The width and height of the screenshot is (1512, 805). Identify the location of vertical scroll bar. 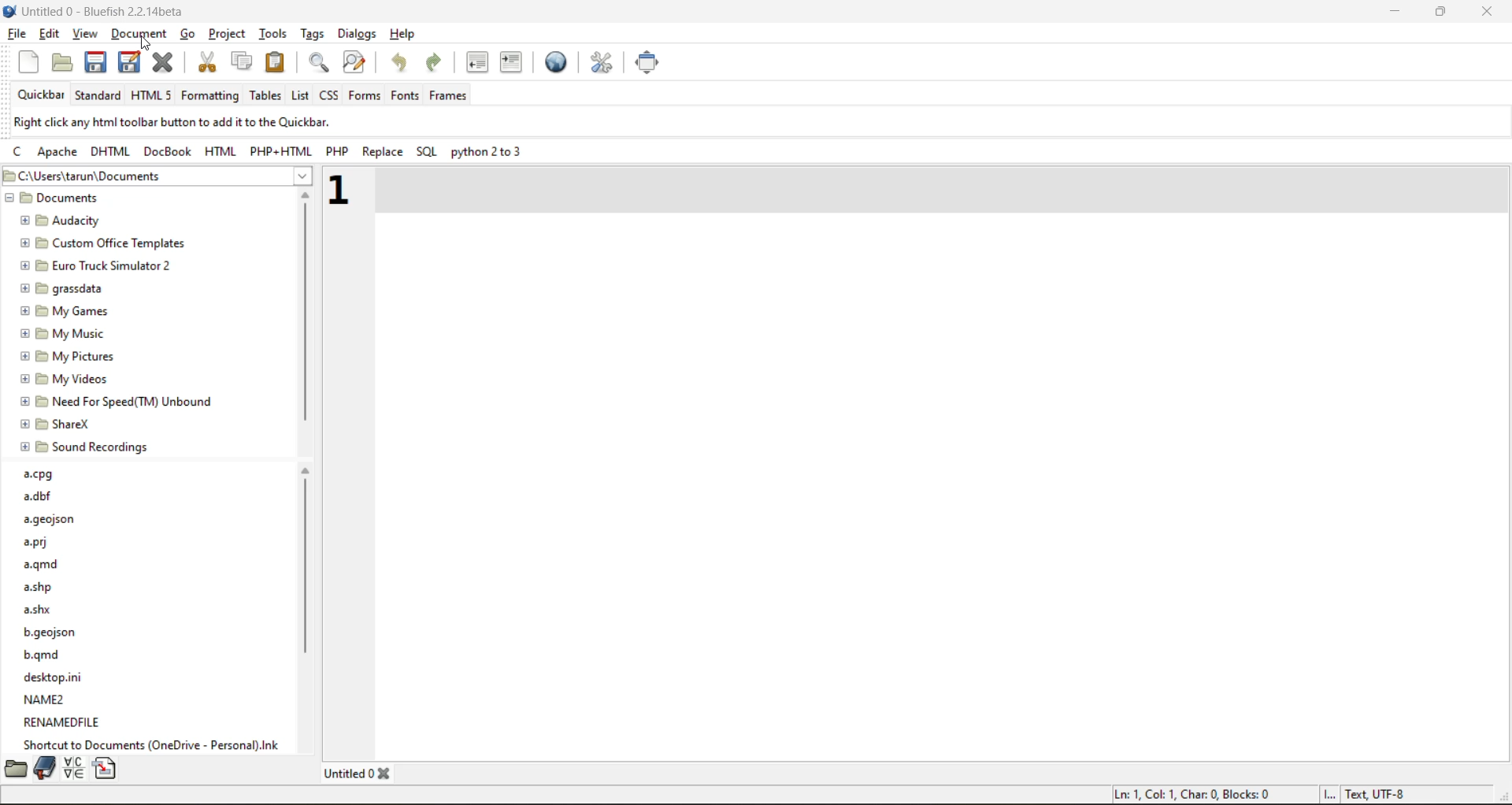
(306, 625).